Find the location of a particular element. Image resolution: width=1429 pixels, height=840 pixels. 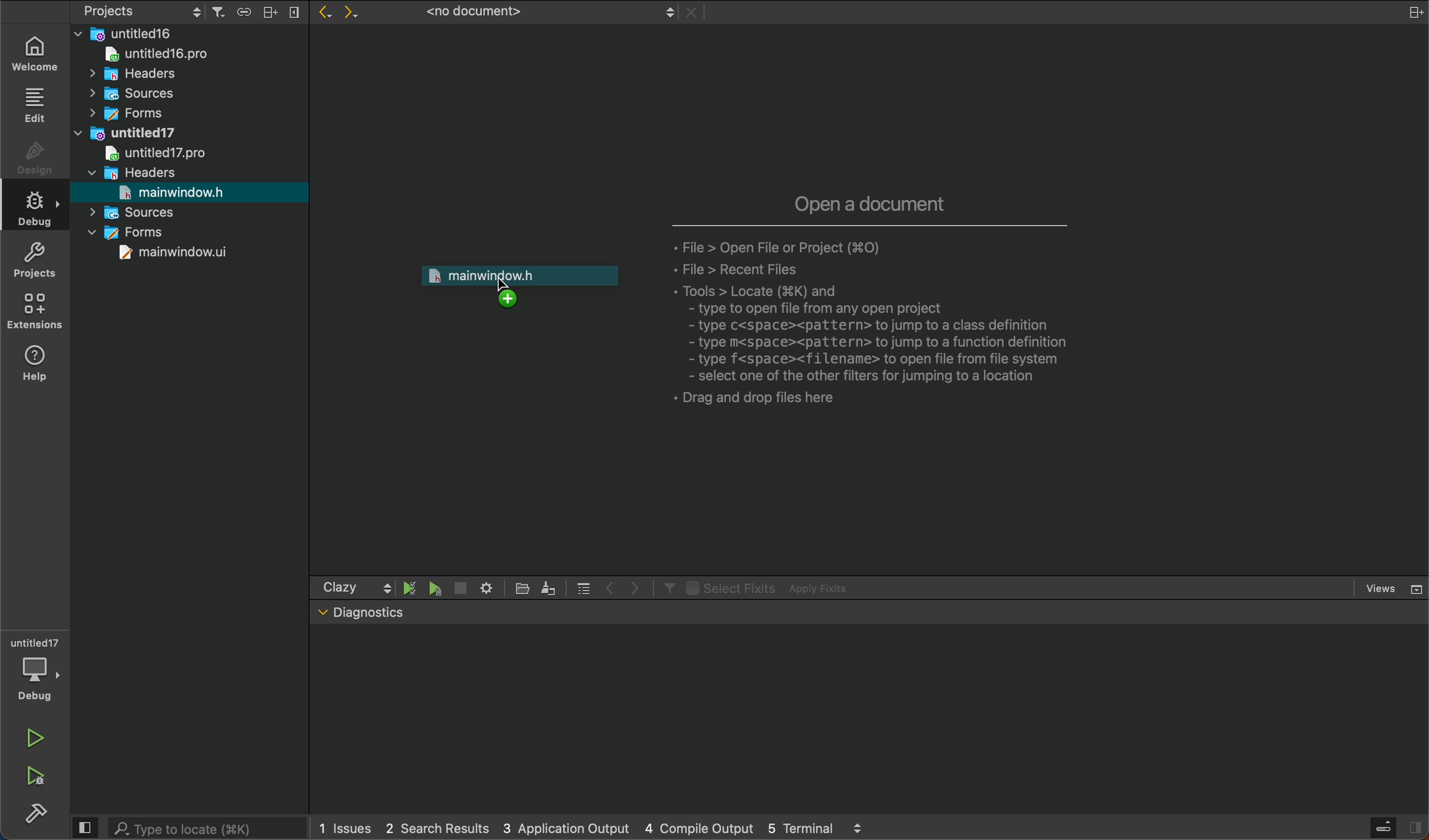

run is located at coordinates (35, 738).